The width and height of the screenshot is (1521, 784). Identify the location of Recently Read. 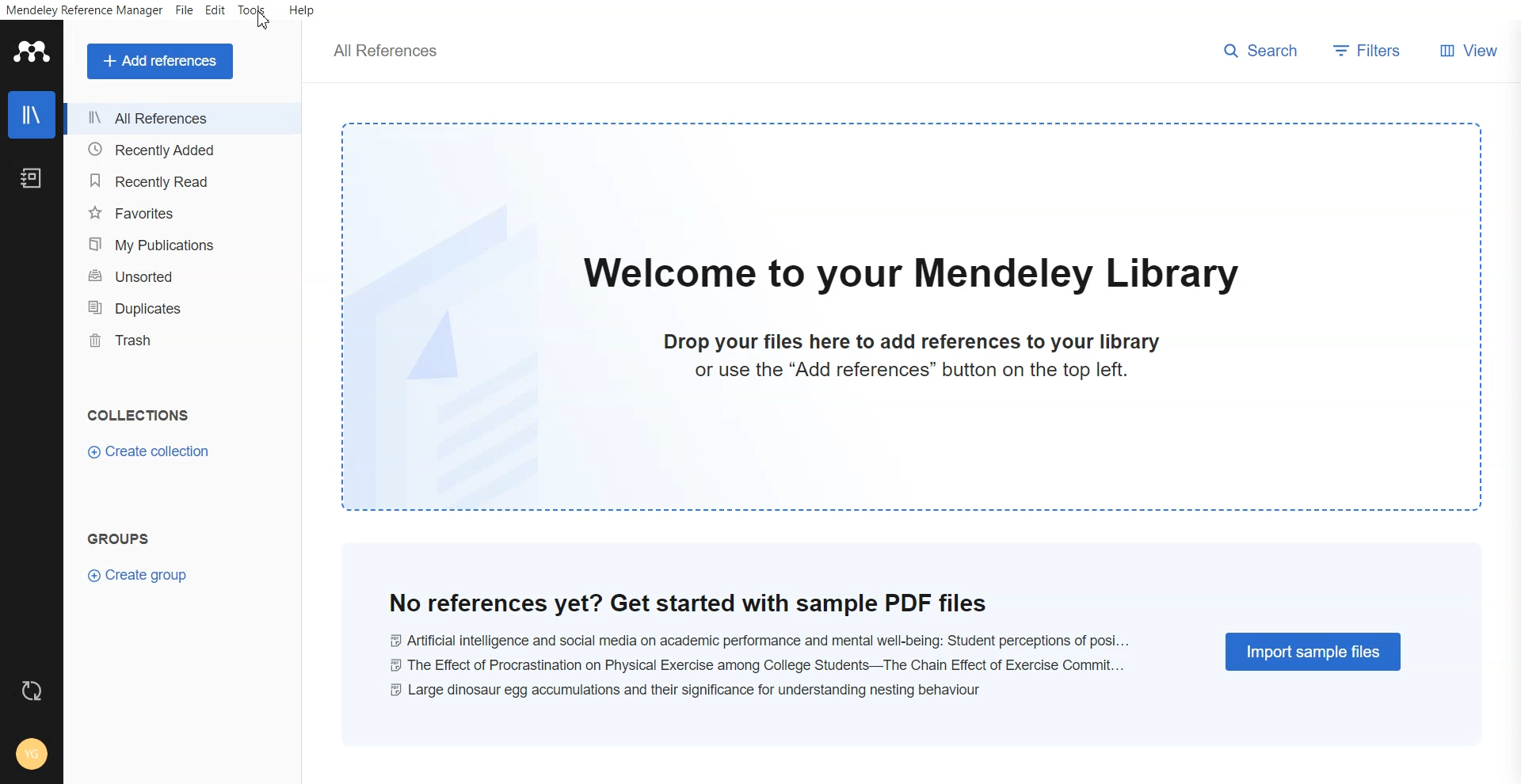
(181, 180).